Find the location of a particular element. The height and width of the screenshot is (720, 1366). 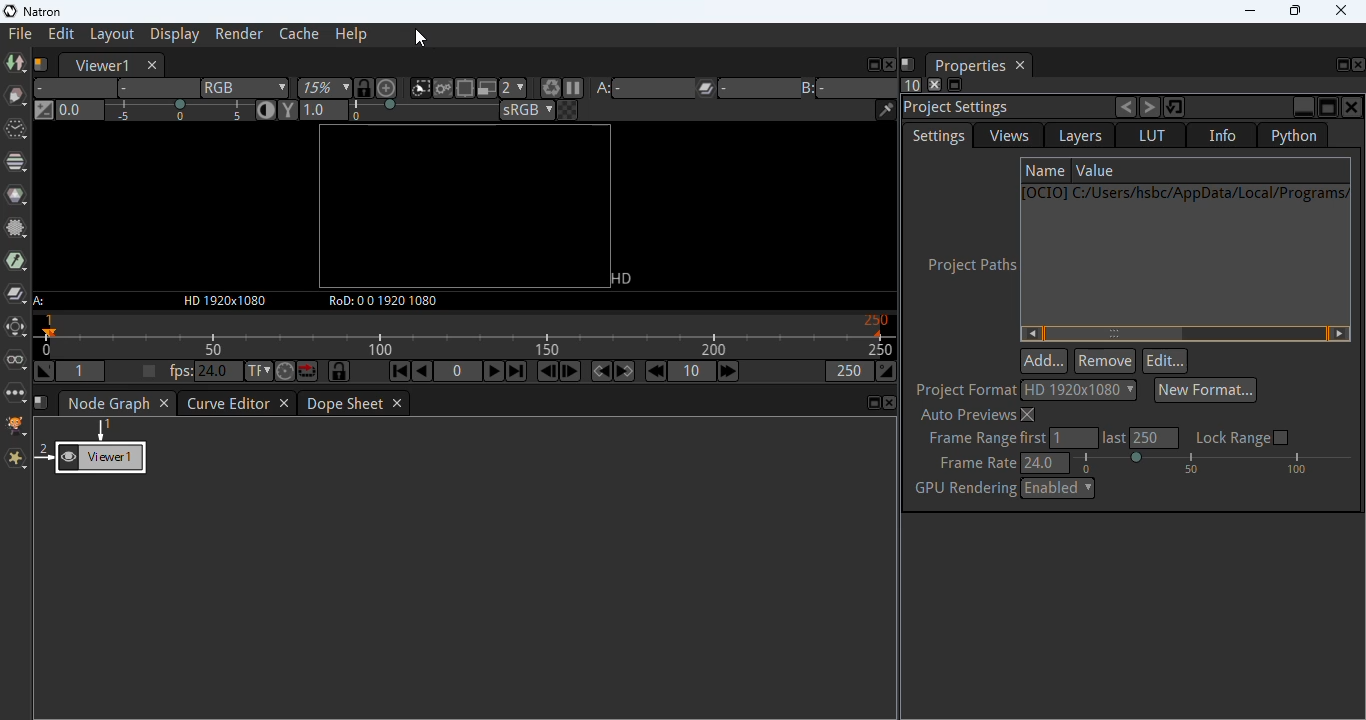

Info is located at coordinates (1223, 135).